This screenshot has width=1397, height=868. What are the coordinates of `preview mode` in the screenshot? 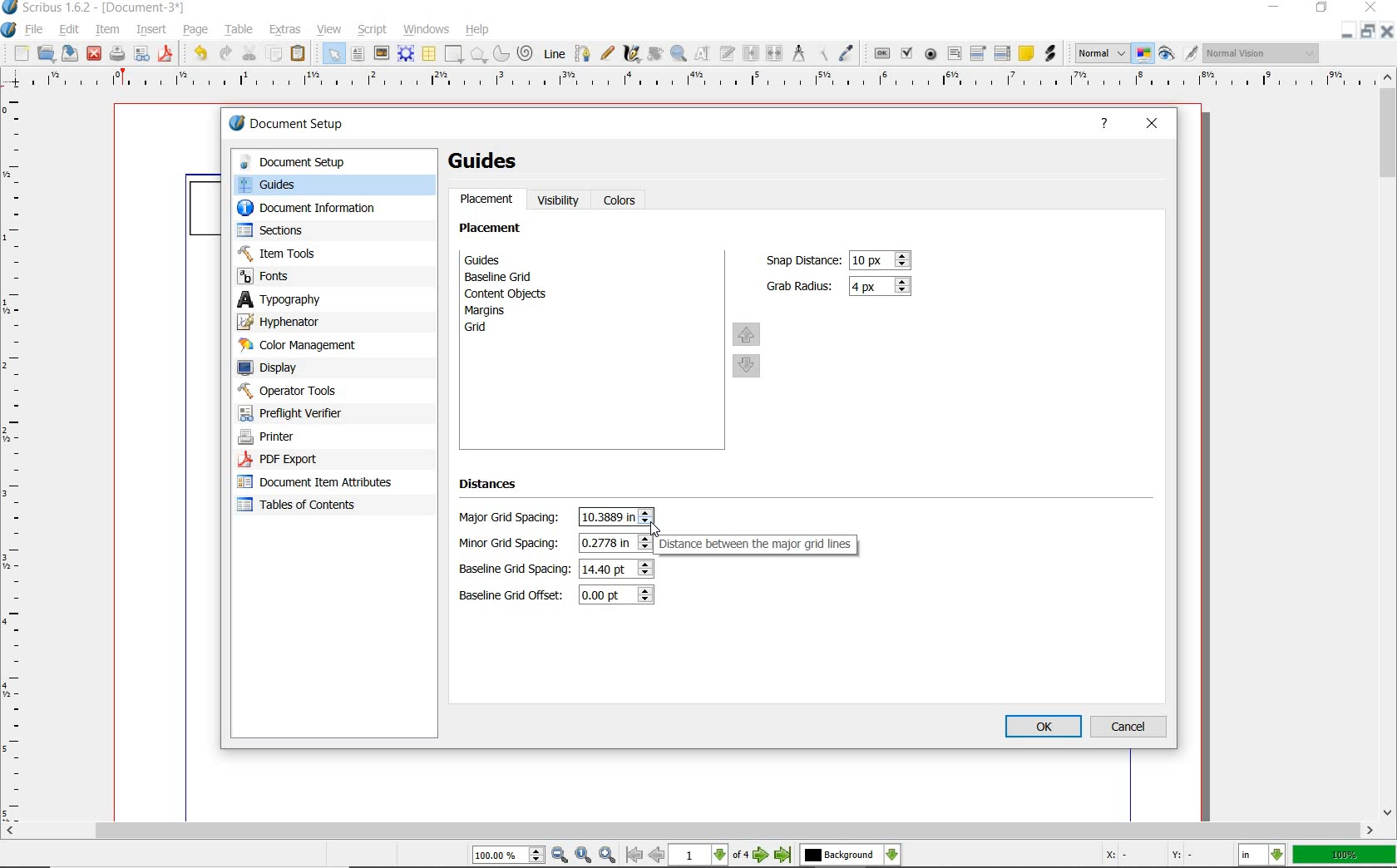 It's located at (1178, 52).